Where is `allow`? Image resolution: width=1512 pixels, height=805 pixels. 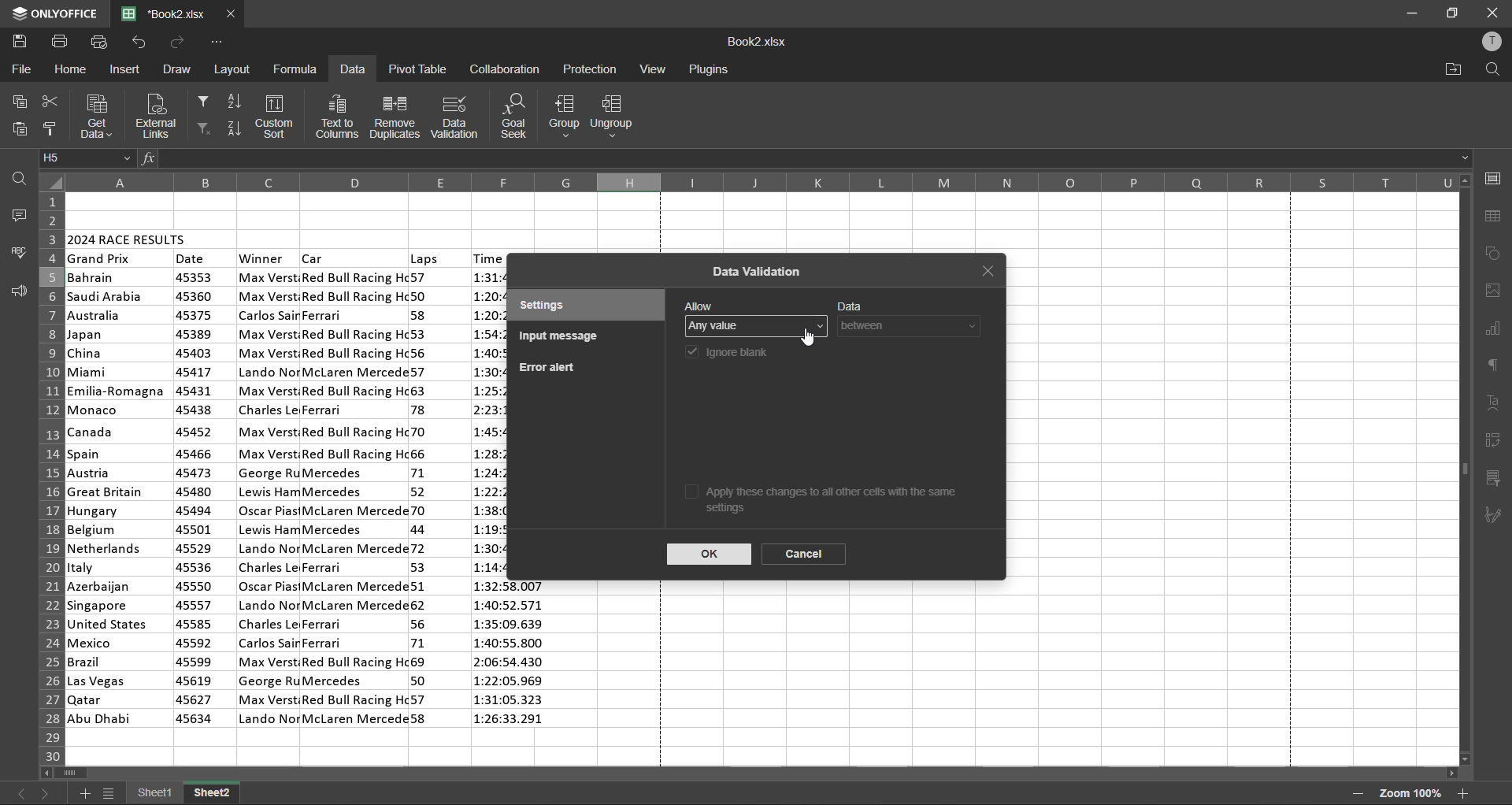 allow is located at coordinates (758, 327).